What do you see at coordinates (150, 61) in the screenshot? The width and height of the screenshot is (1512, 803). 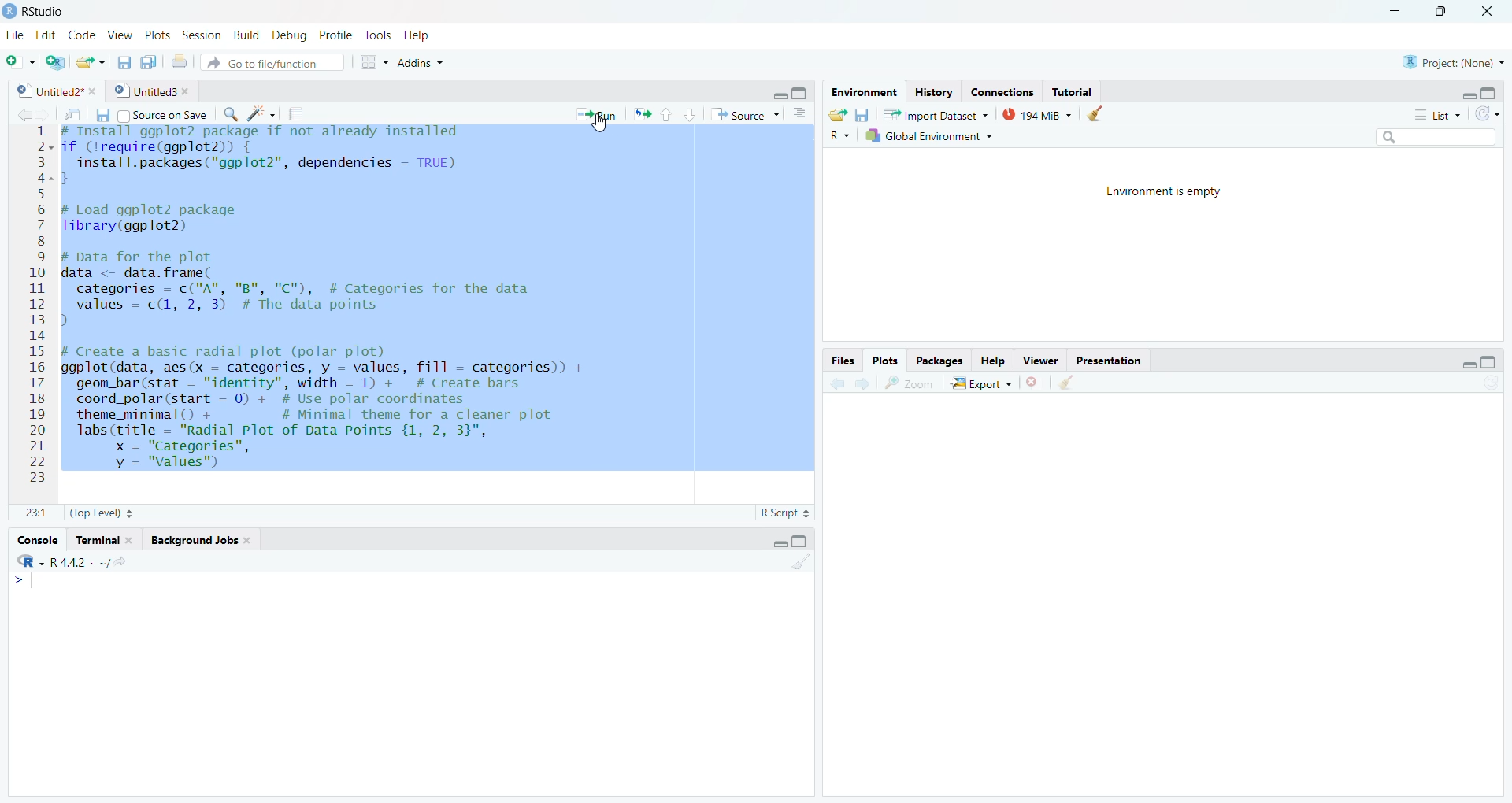 I see `save all documents` at bounding box center [150, 61].